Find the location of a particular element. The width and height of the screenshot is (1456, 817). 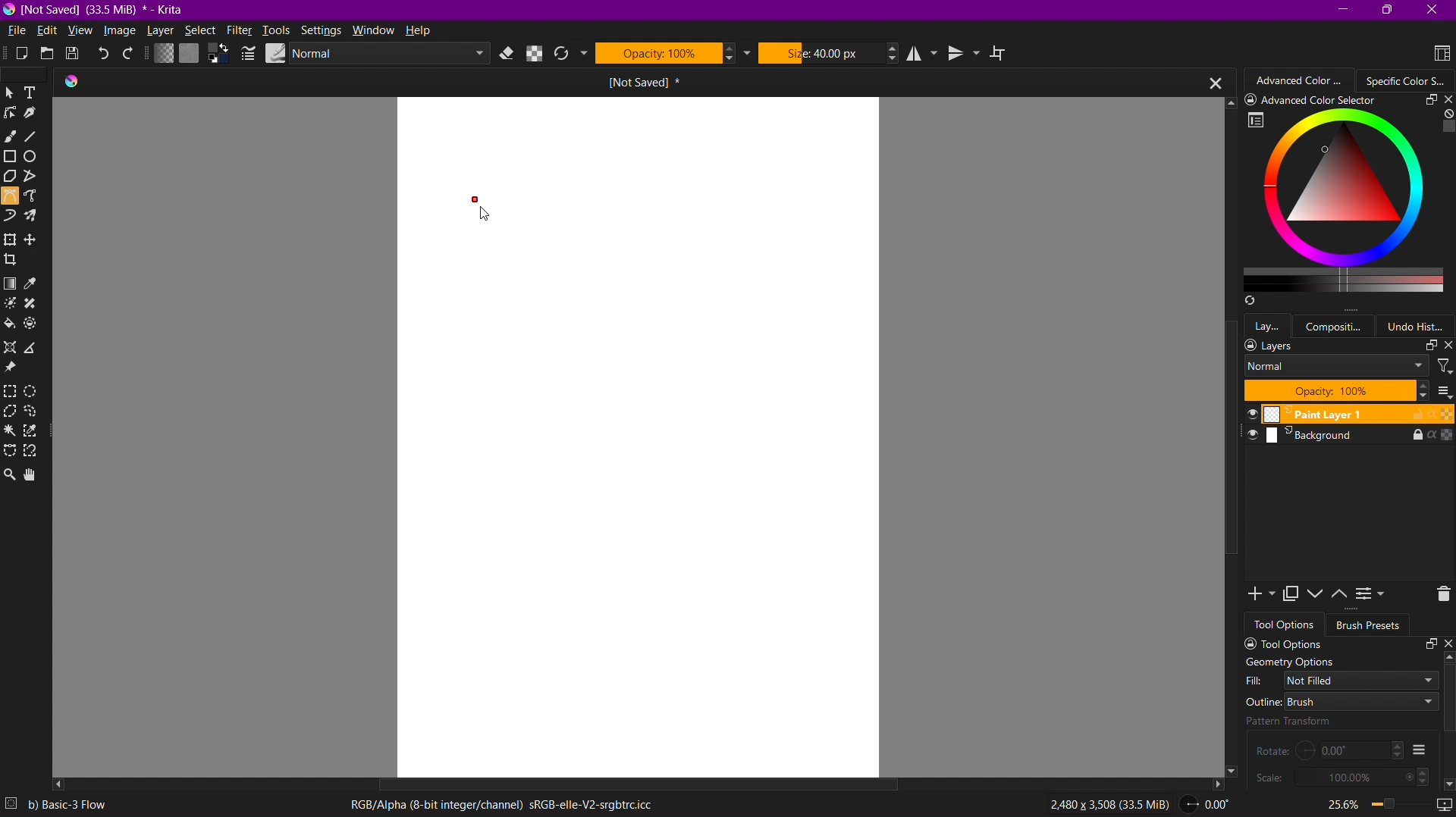

Set foreground and background colors is located at coordinates (218, 55).